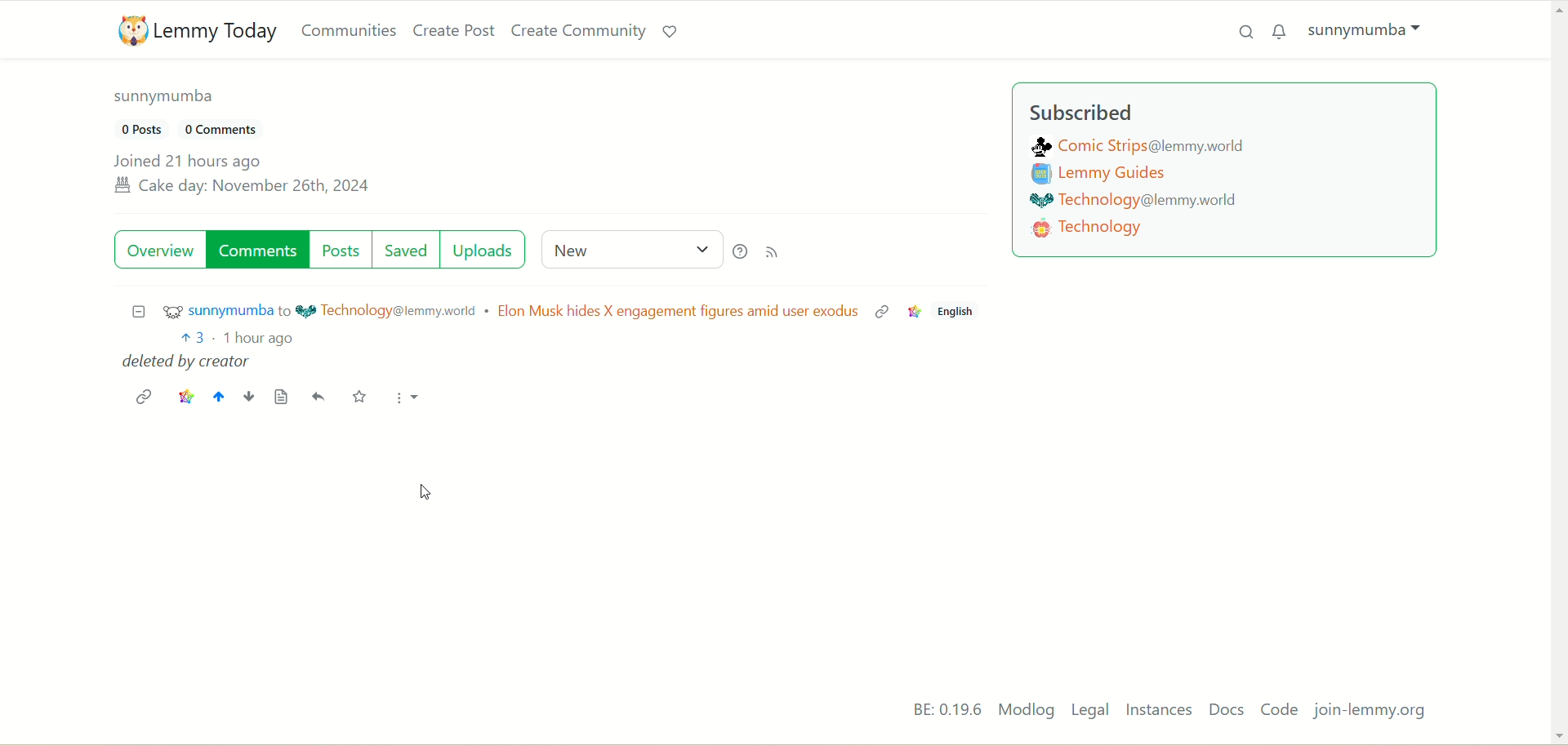 The height and width of the screenshot is (746, 1568). I want to click on RSS, so click(777, 253).